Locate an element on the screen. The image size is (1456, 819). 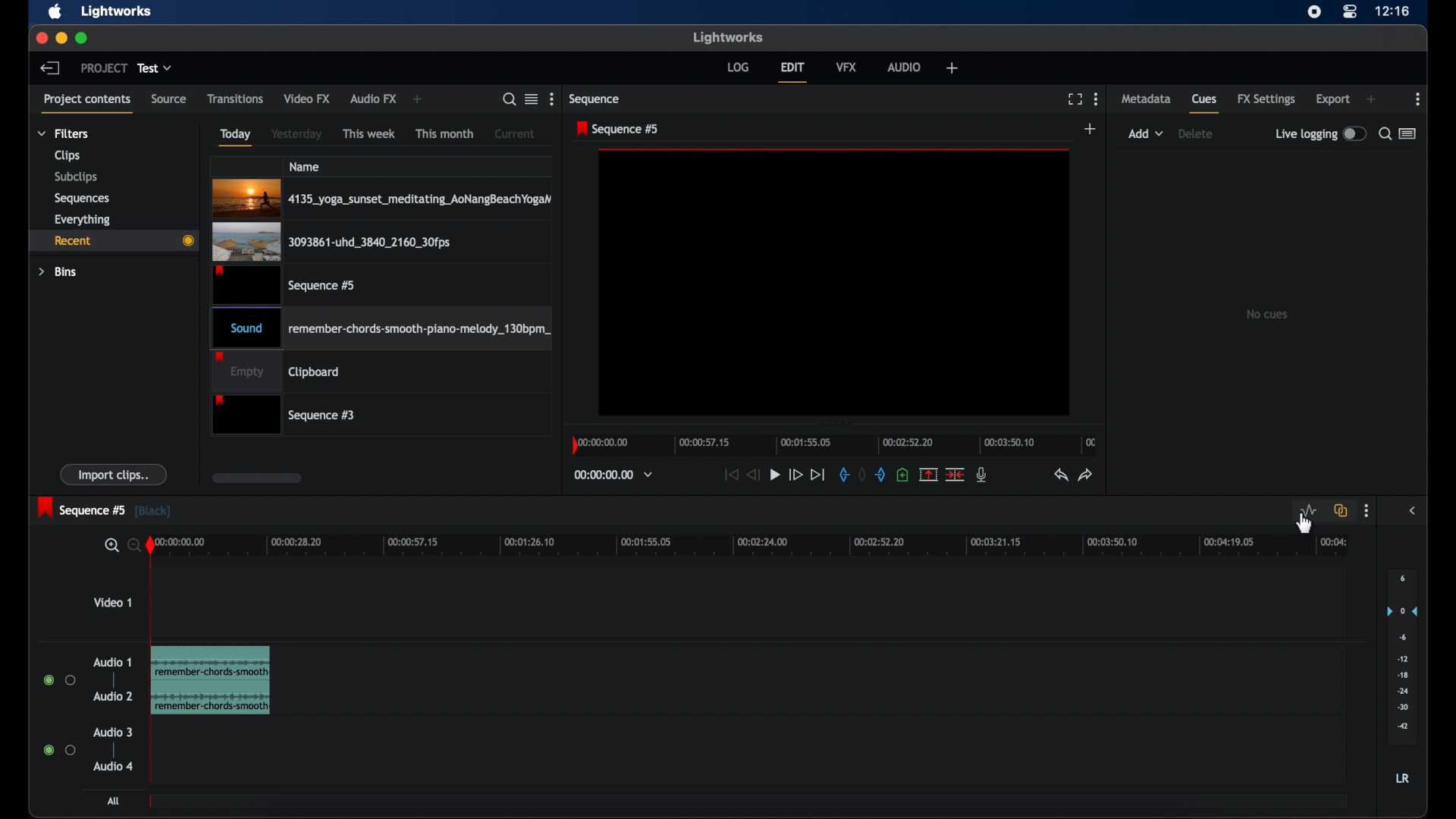
sidebar is located at coordinates (1414, 510).